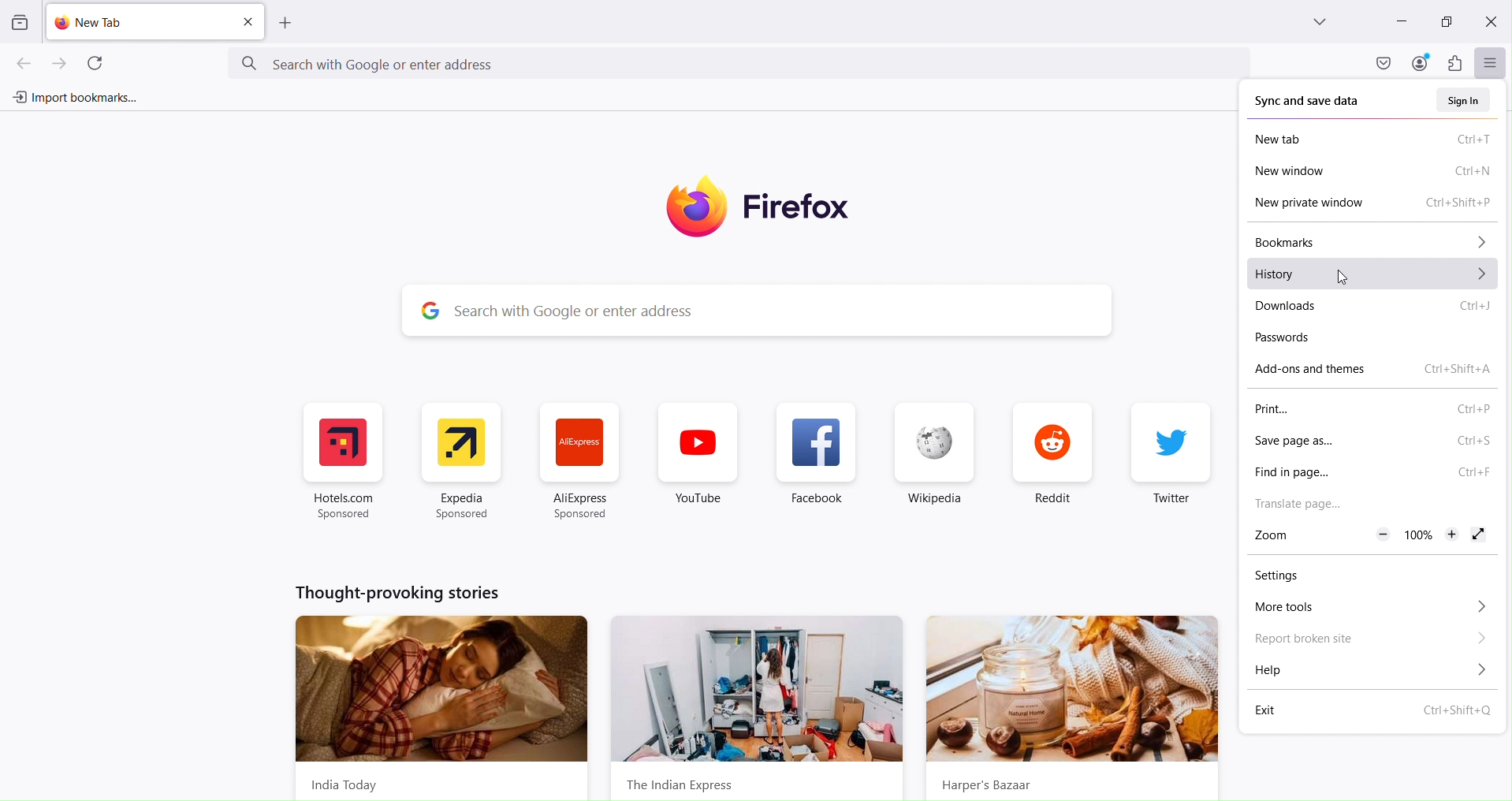 This screenshot has width=1512, height=801. What do you see at coordinates (459, 462) in the screenshot?
I see `Expedia Web Shortcut` at bounding box center [459, 462].